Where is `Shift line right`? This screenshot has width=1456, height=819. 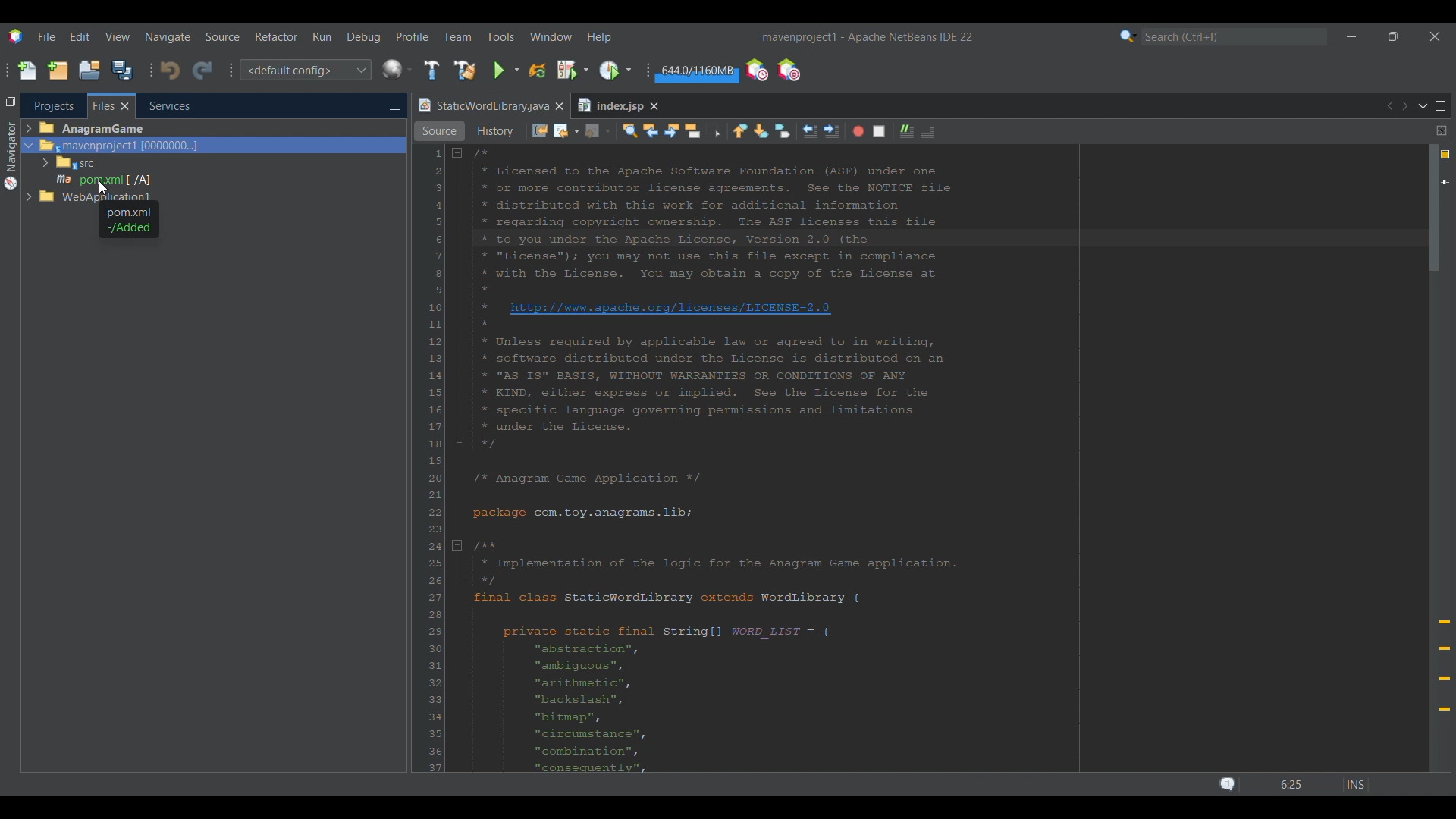 Shift line right is located at coordinates (831, 131).